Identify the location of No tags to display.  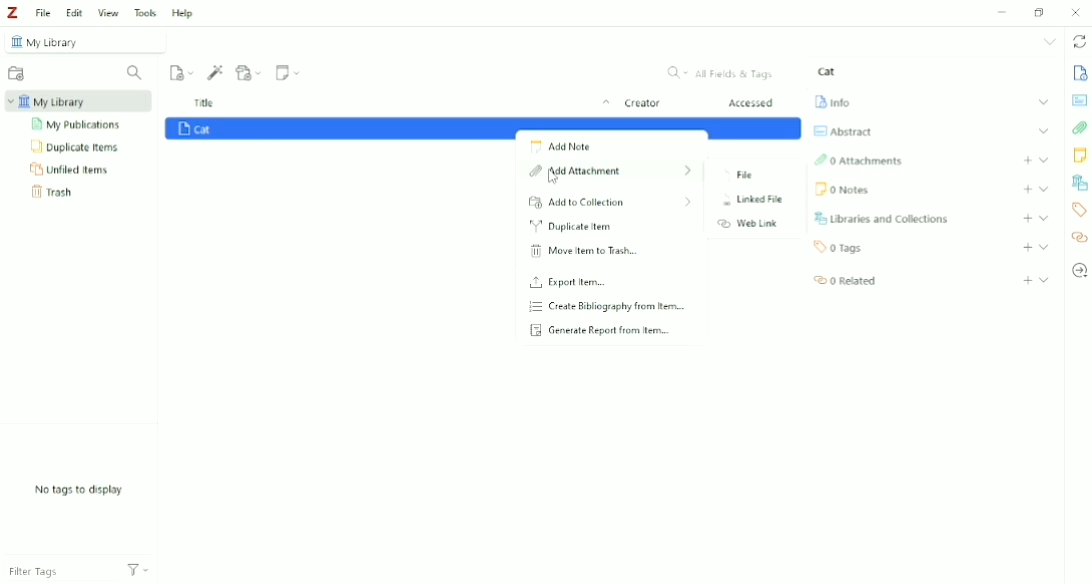
(81, 490).